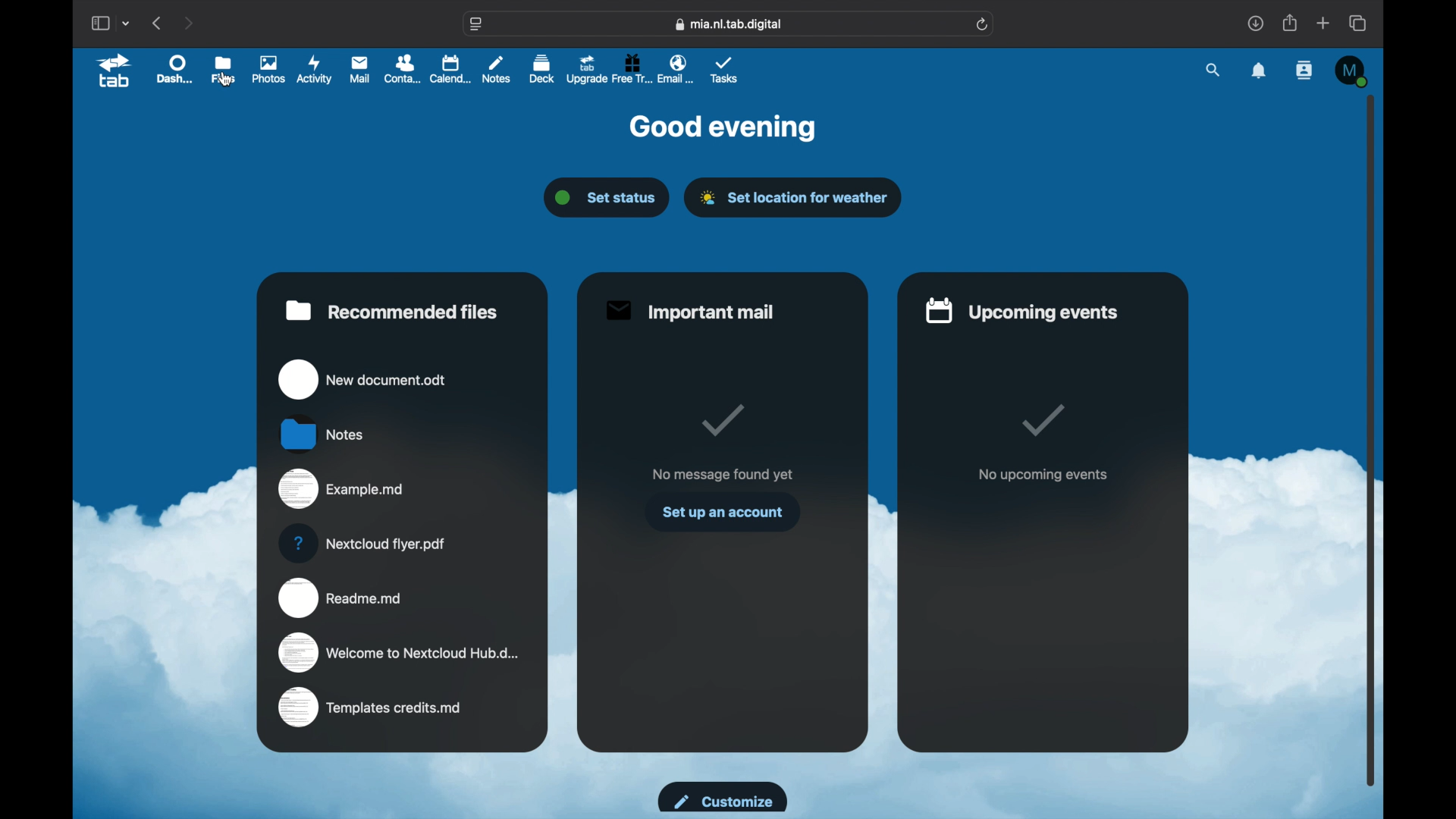 This screenshot has width=1456, height=819. Describe the element at coordinates (1042, 419) in the screenshot. I see `tick mark` at that location.